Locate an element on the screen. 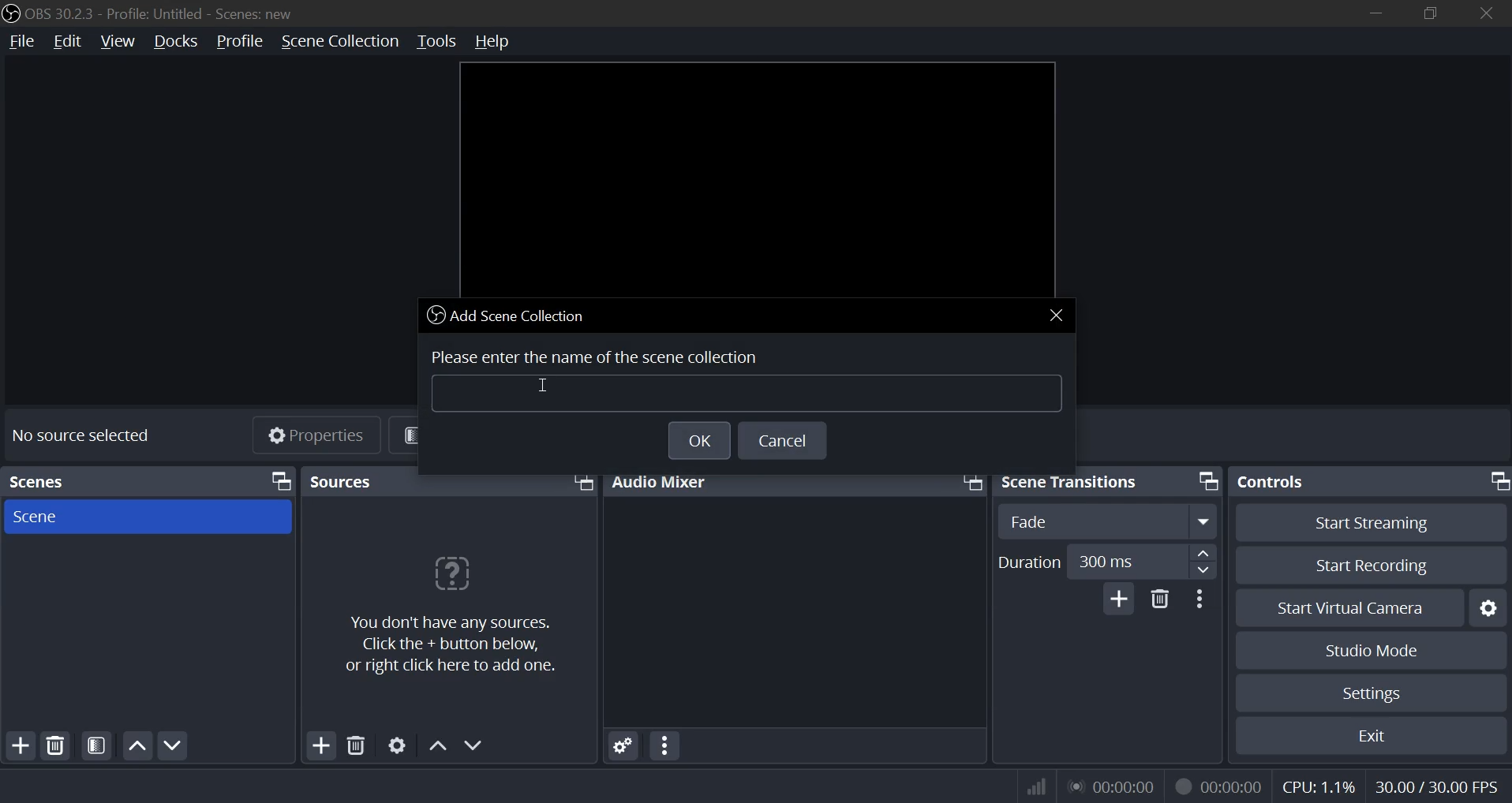 Image resolution: width=1512 pixels, height=803 pixels. delete source is located at coordinates (56, 744).